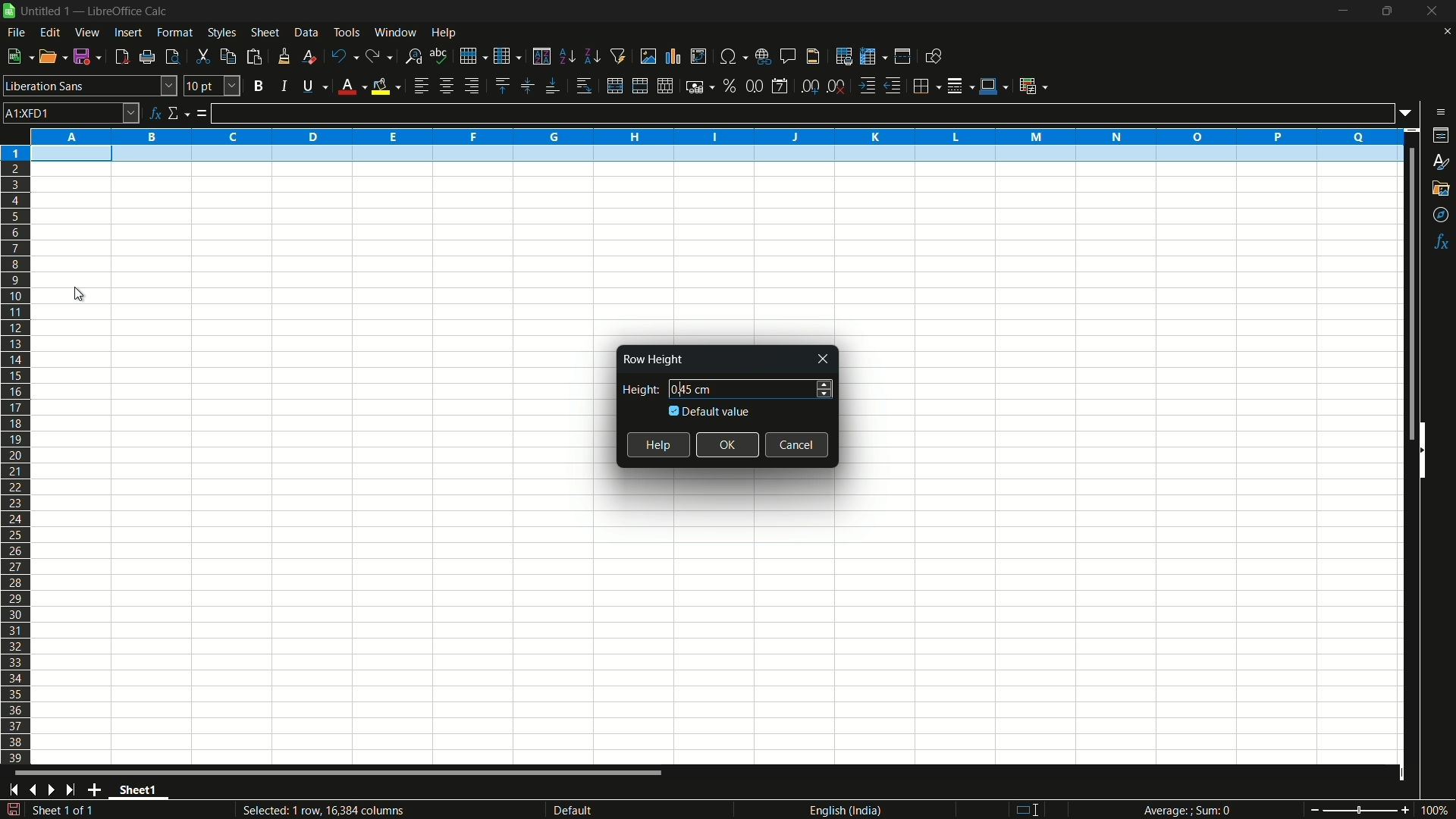  What do you see at coordinates (598, 810) in the screenshot?
I see `default` at bounding box center [598, 810].